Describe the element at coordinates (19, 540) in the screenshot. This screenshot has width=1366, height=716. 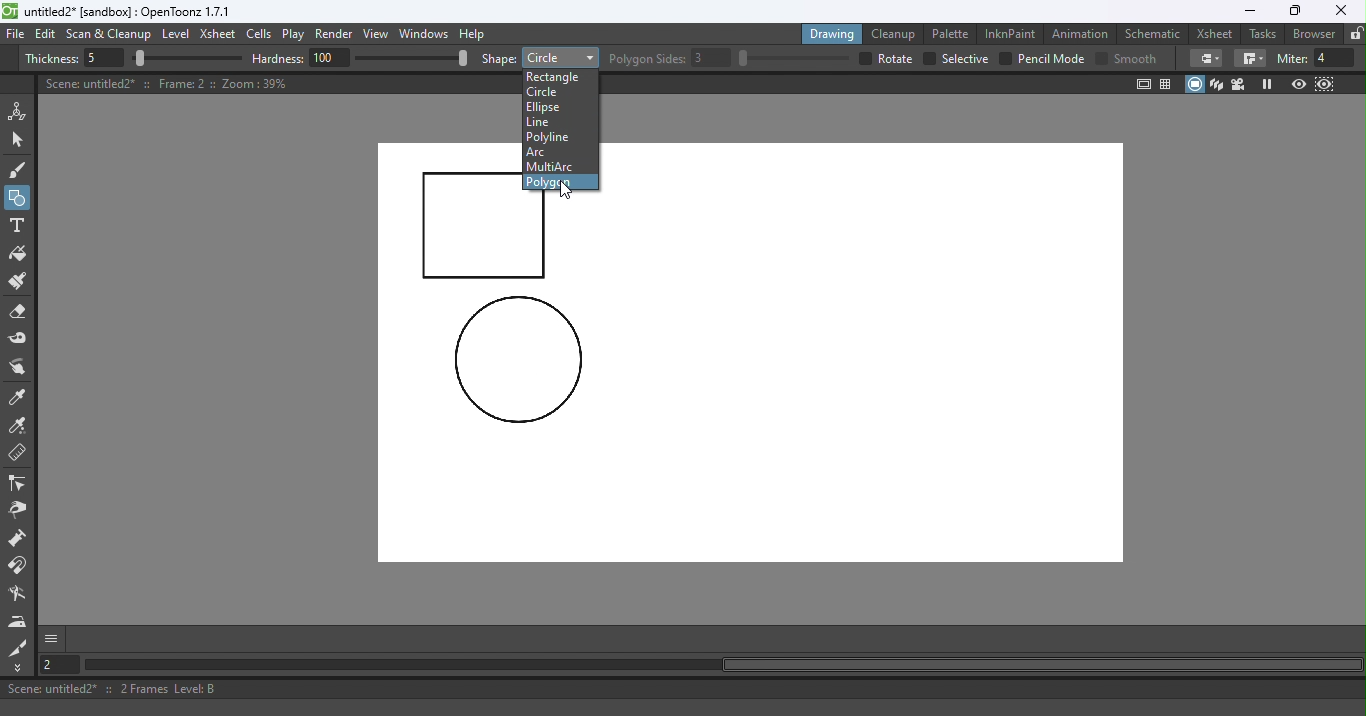
I see `Magnet tool` at that location.